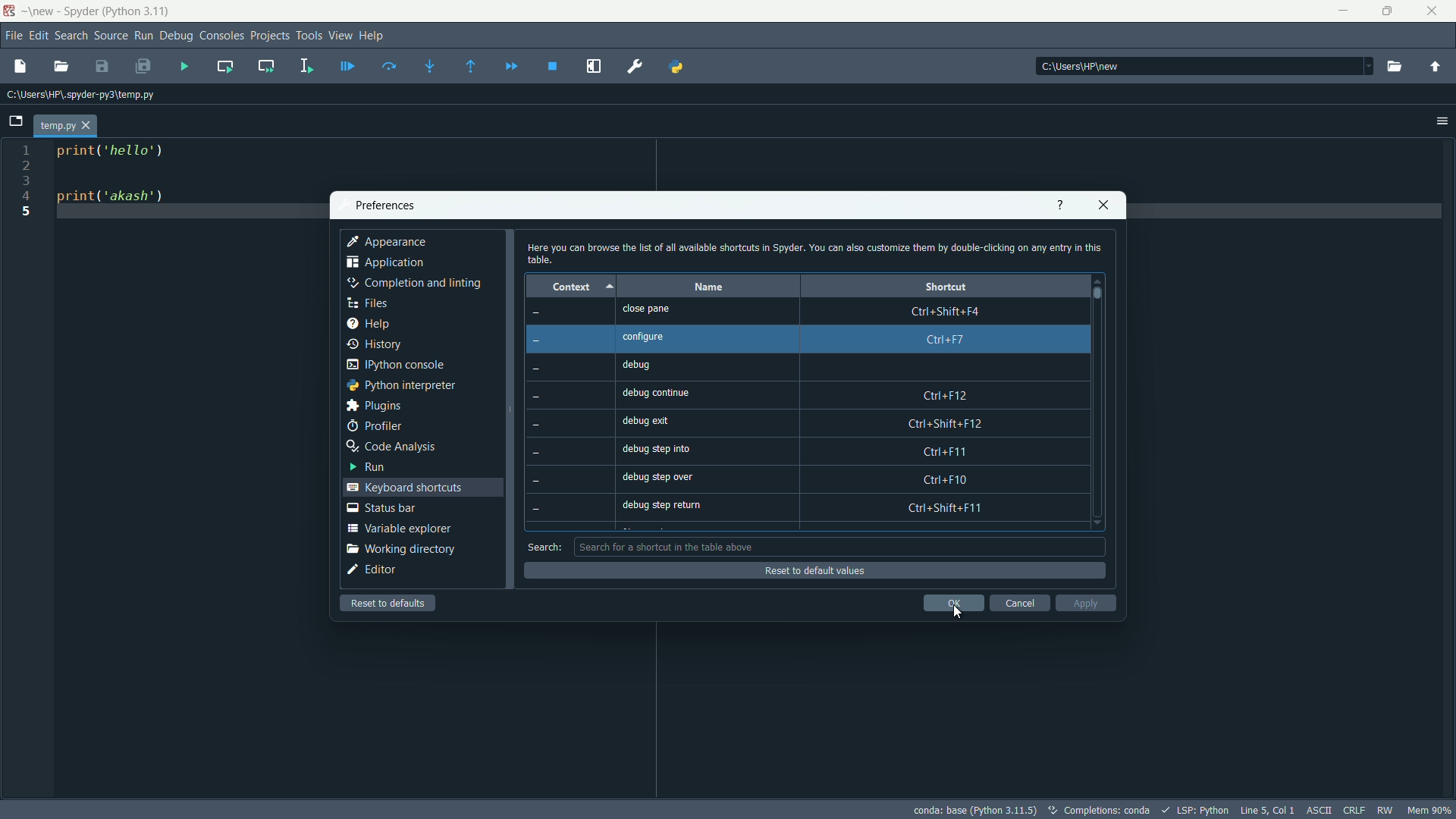 This screenshot has height=819, width=1456. Describe the element at coordinates (1056, 811) in the screenshot. I see `Correct Code` at that location.